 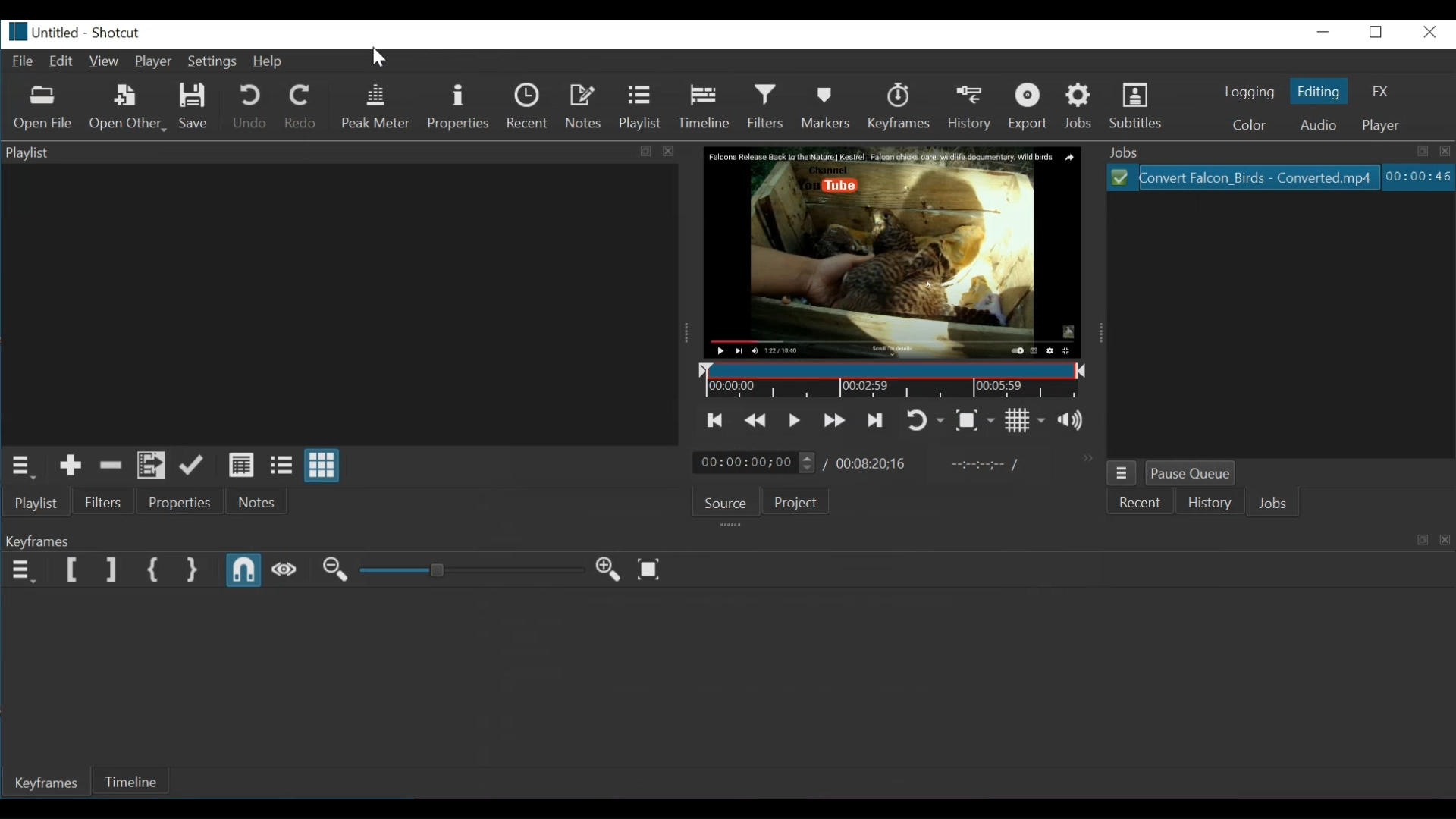 I want to click on Zoom Keyframe to fit , so click(x=653, y=571).